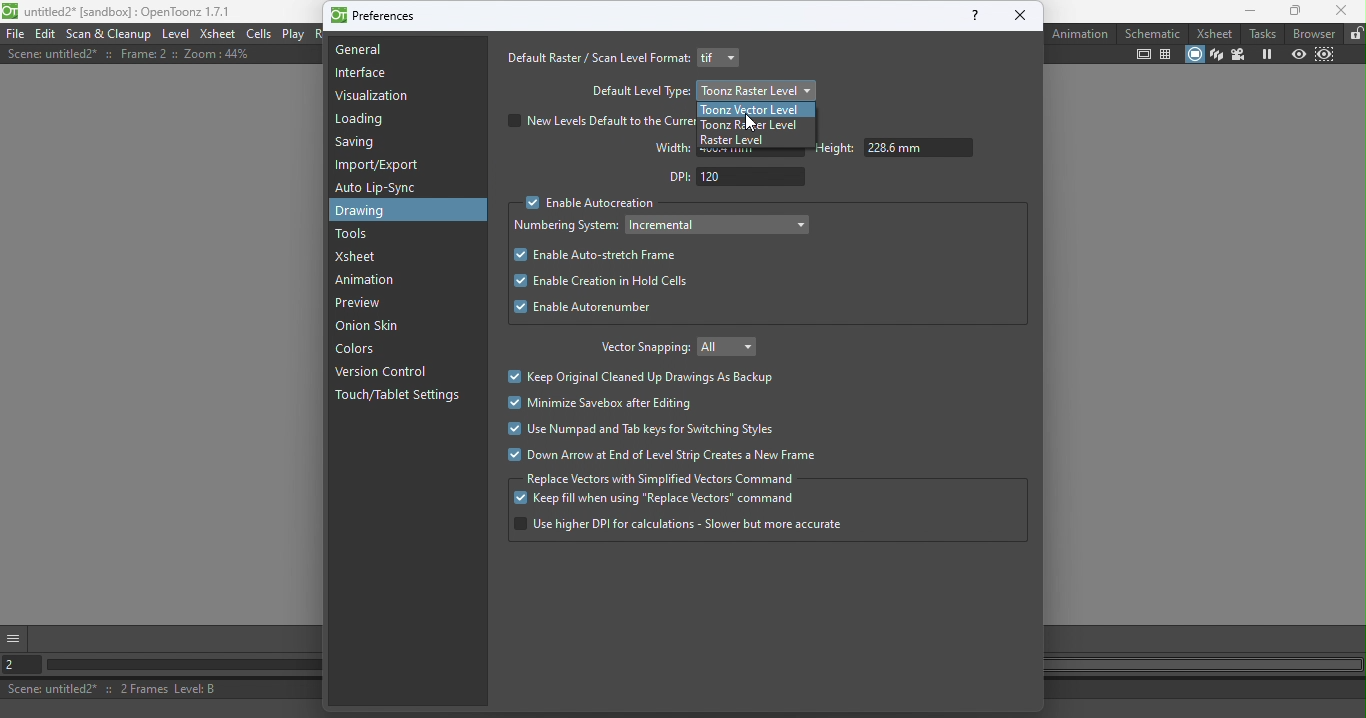  I want to click on Camera stand view, so click(1193, 56).